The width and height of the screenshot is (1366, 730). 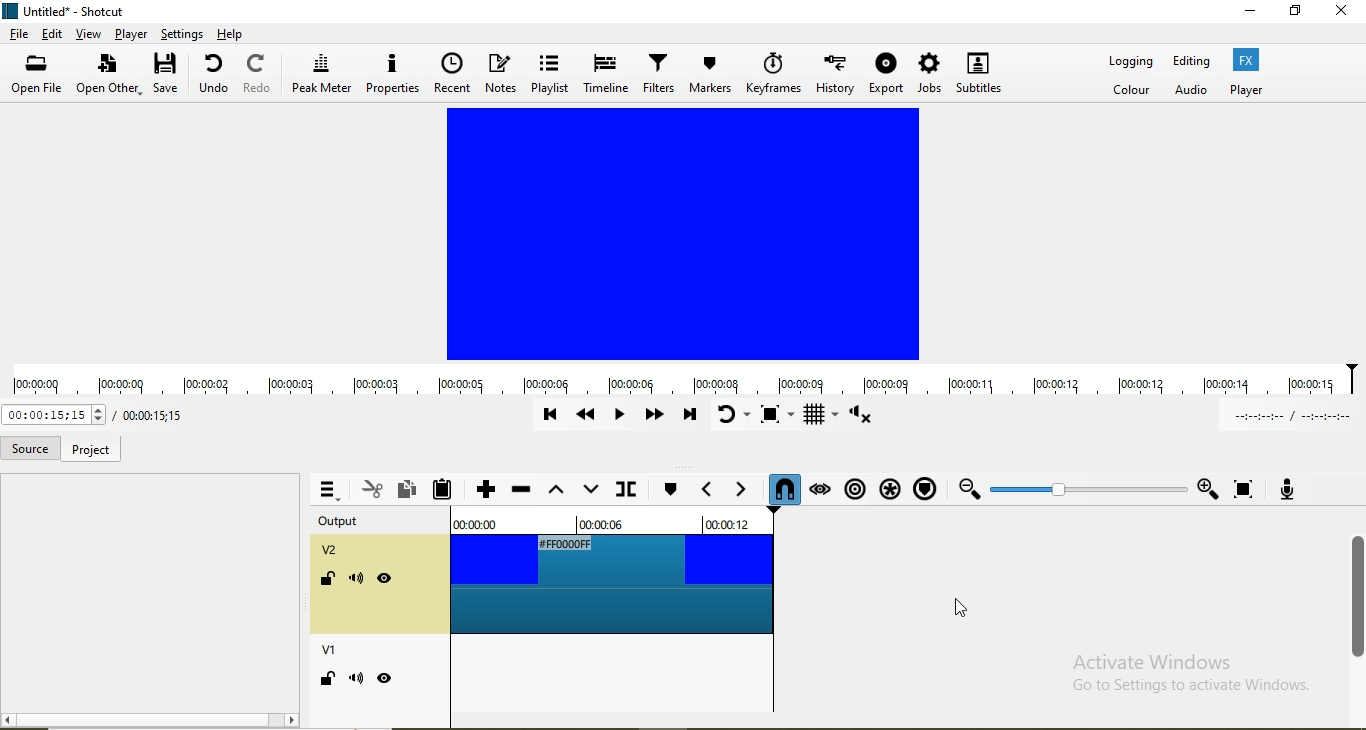 I want to click on scroll bar, so click(x=1357, y=590).